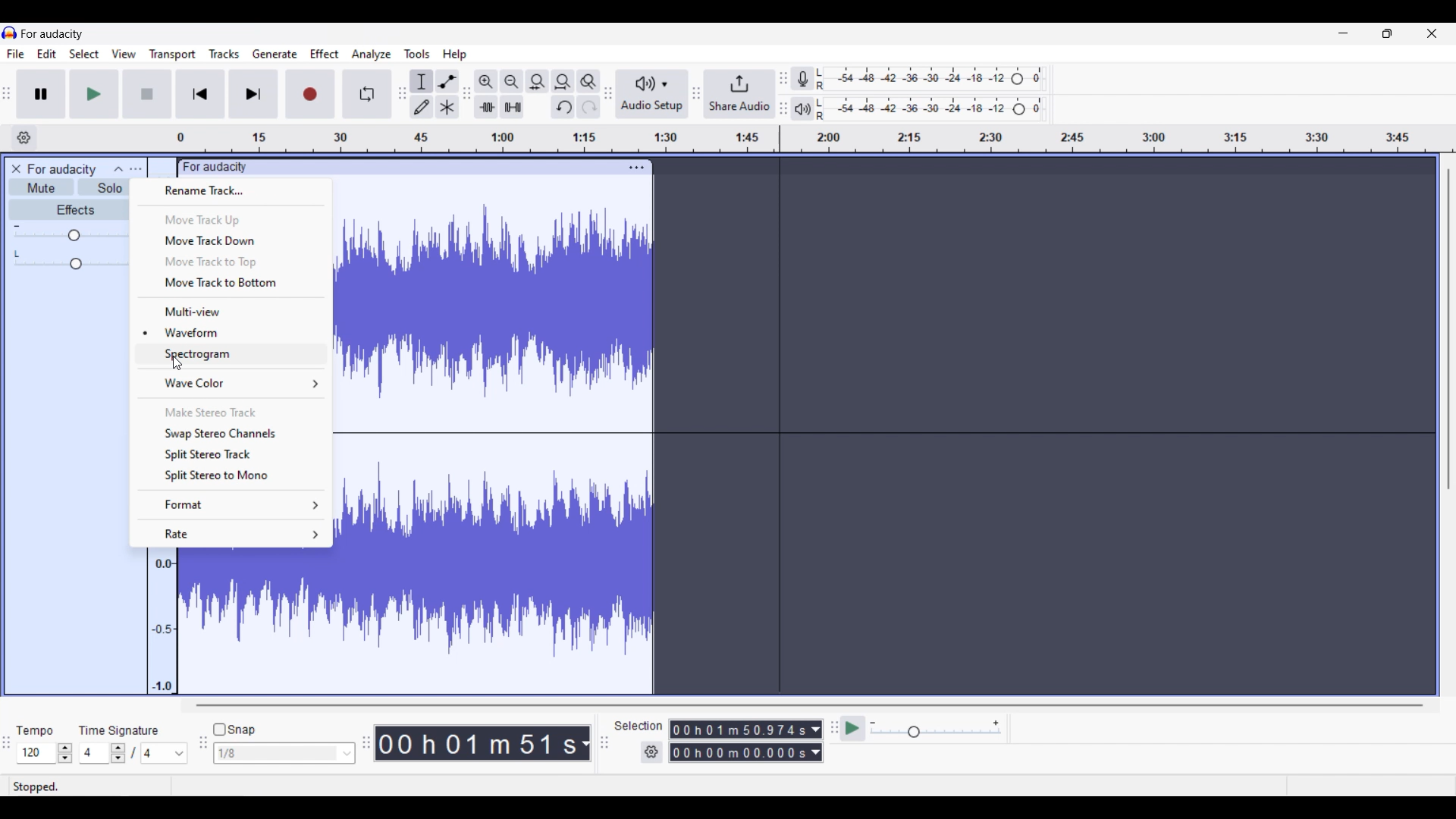 The image size is (1456, 819). Describe the element at coordinates (1388, 33) in the screenshot. I see `Show in smaller tab` at that location.